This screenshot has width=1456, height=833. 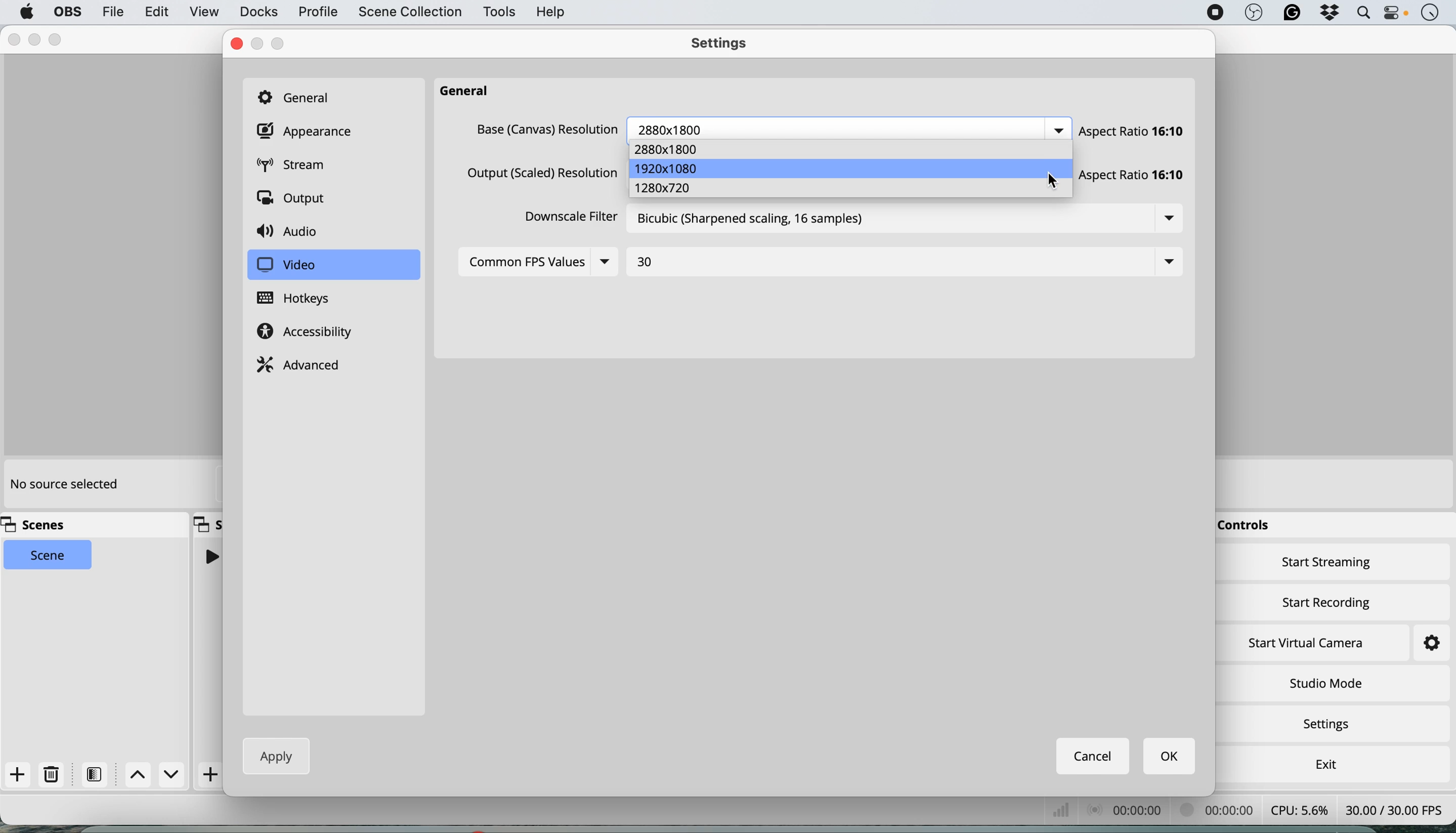 I want to click on tools, so click(x=498, y=13).